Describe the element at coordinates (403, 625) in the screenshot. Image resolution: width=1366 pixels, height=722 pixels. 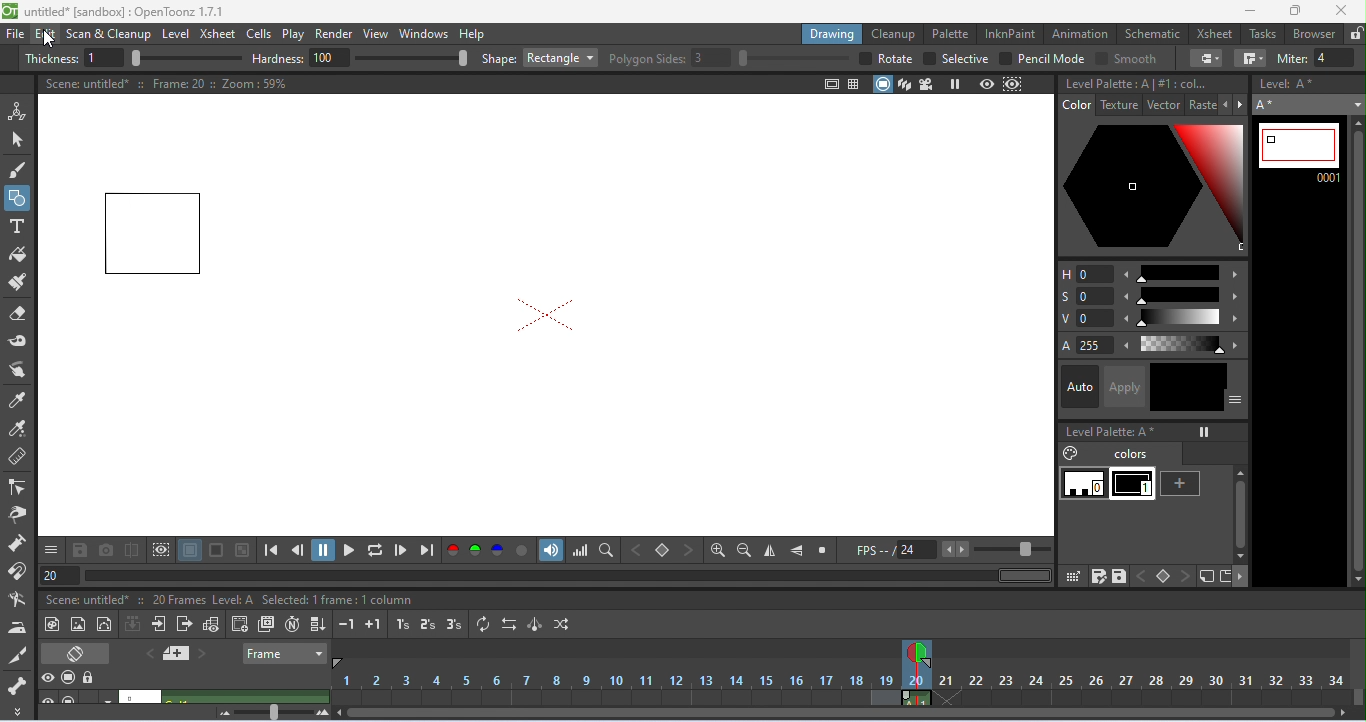
I see `reframe on 1s` at that location.